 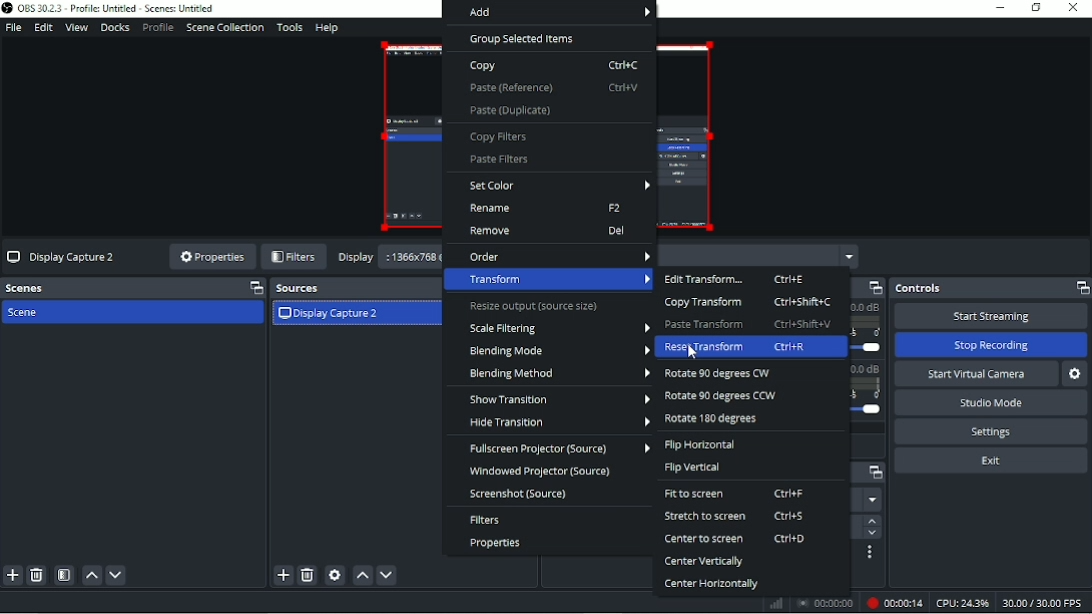 I want to click on Filters, so click(x=486, y=520).